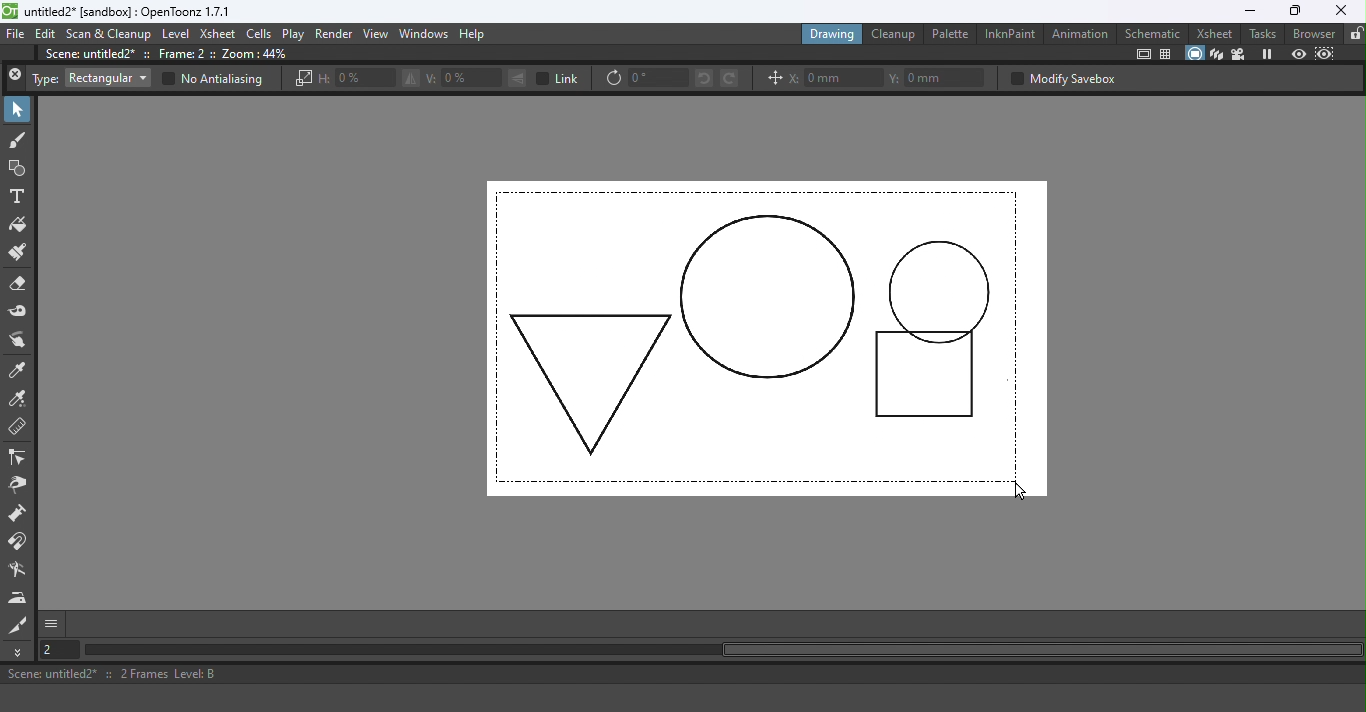  Describe the element at coordinates (18, 196) in the screenshot. I see `Type tool` at that location.